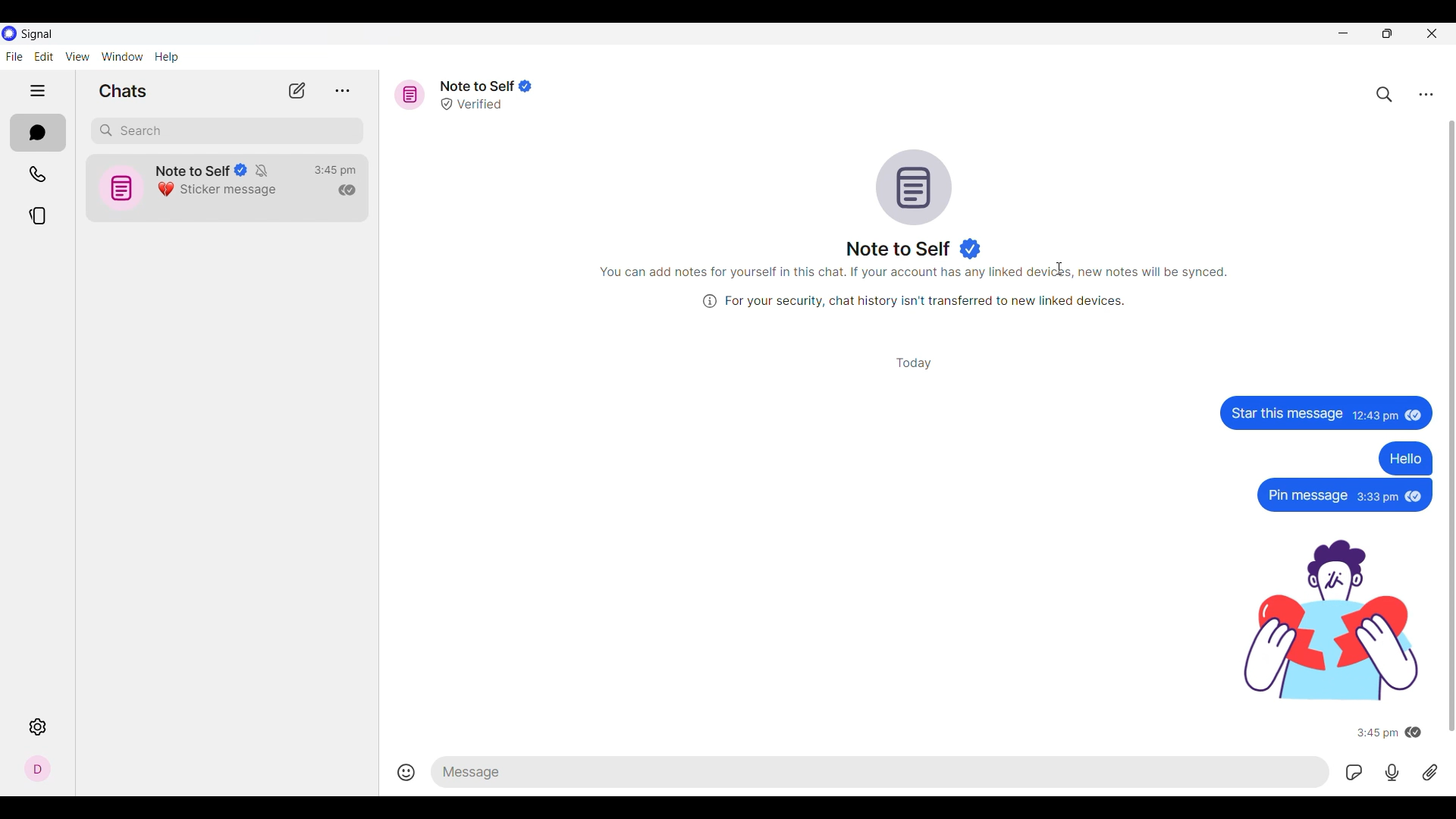 This screenshot has height=819, width=1456. I want to click on Scroll bar, so click(1442, 427).